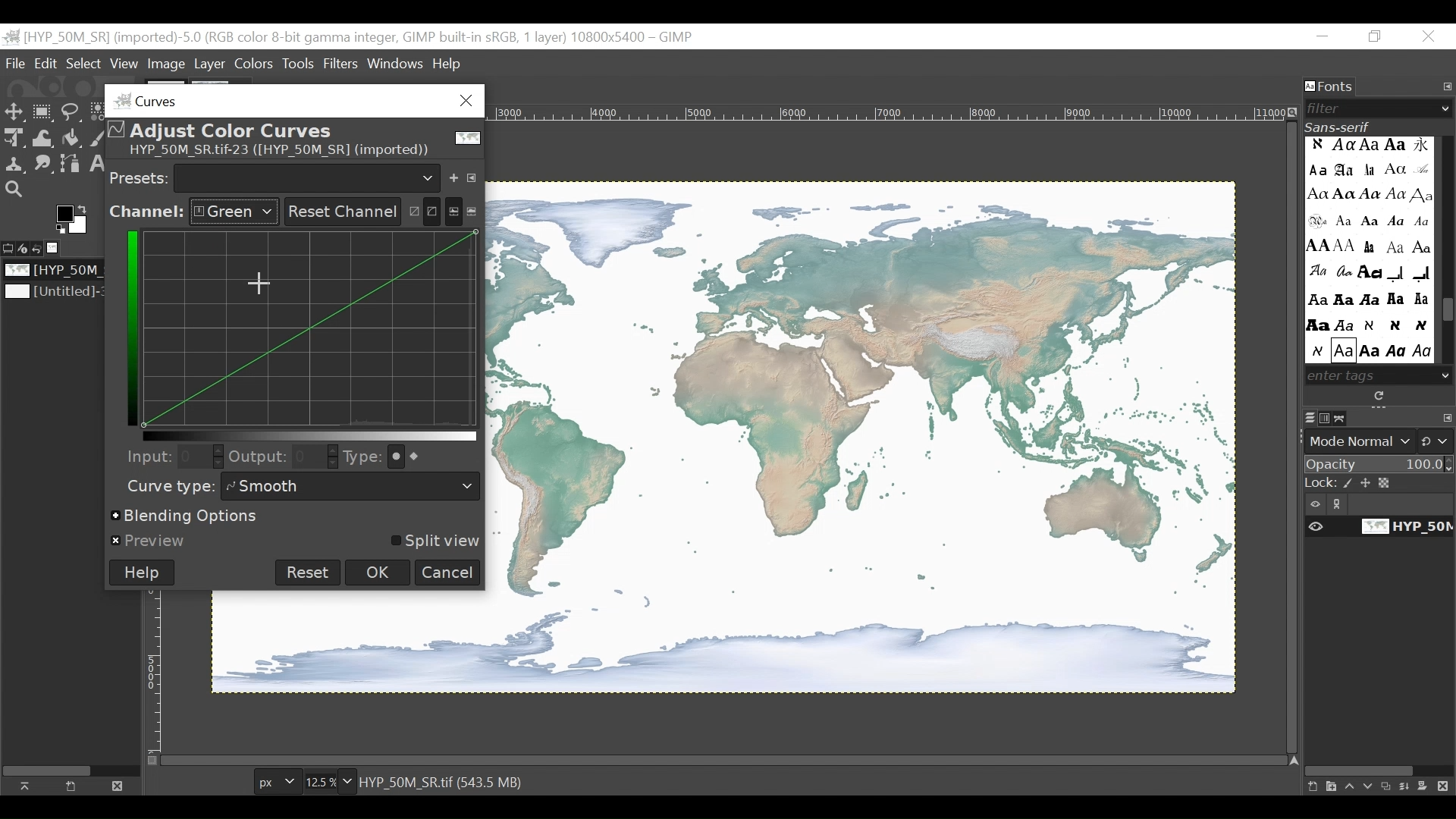 This screenshot has width=1456, height=819. What do you see at coordinates (71, 115) in the screenshot?
I see `Free To` at bounding box center [71, 115].